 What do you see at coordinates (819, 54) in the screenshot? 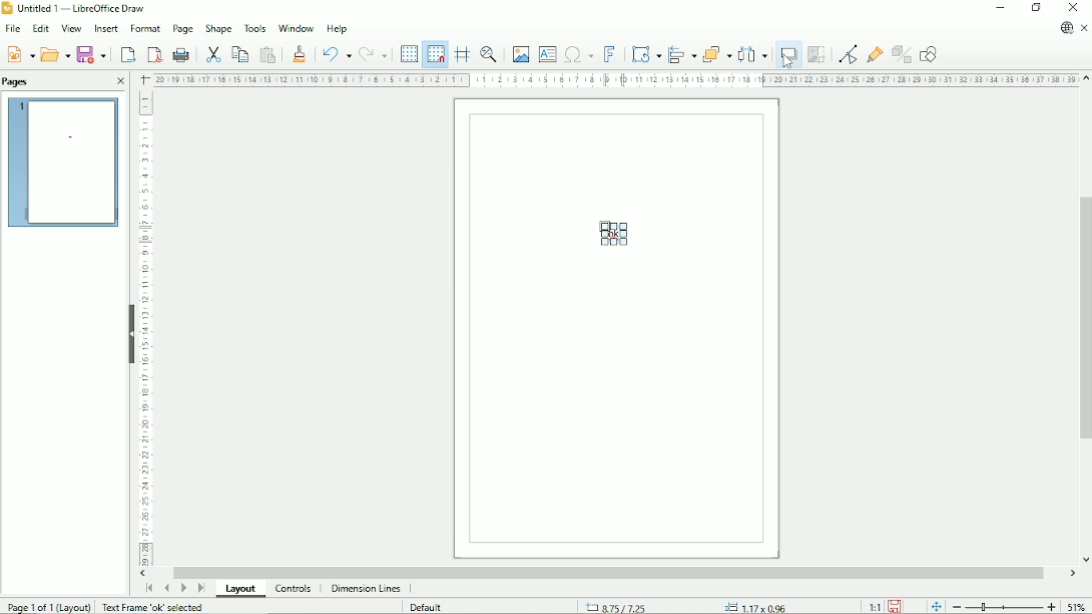
I see `Crop image` at bounding box center [819, 54].